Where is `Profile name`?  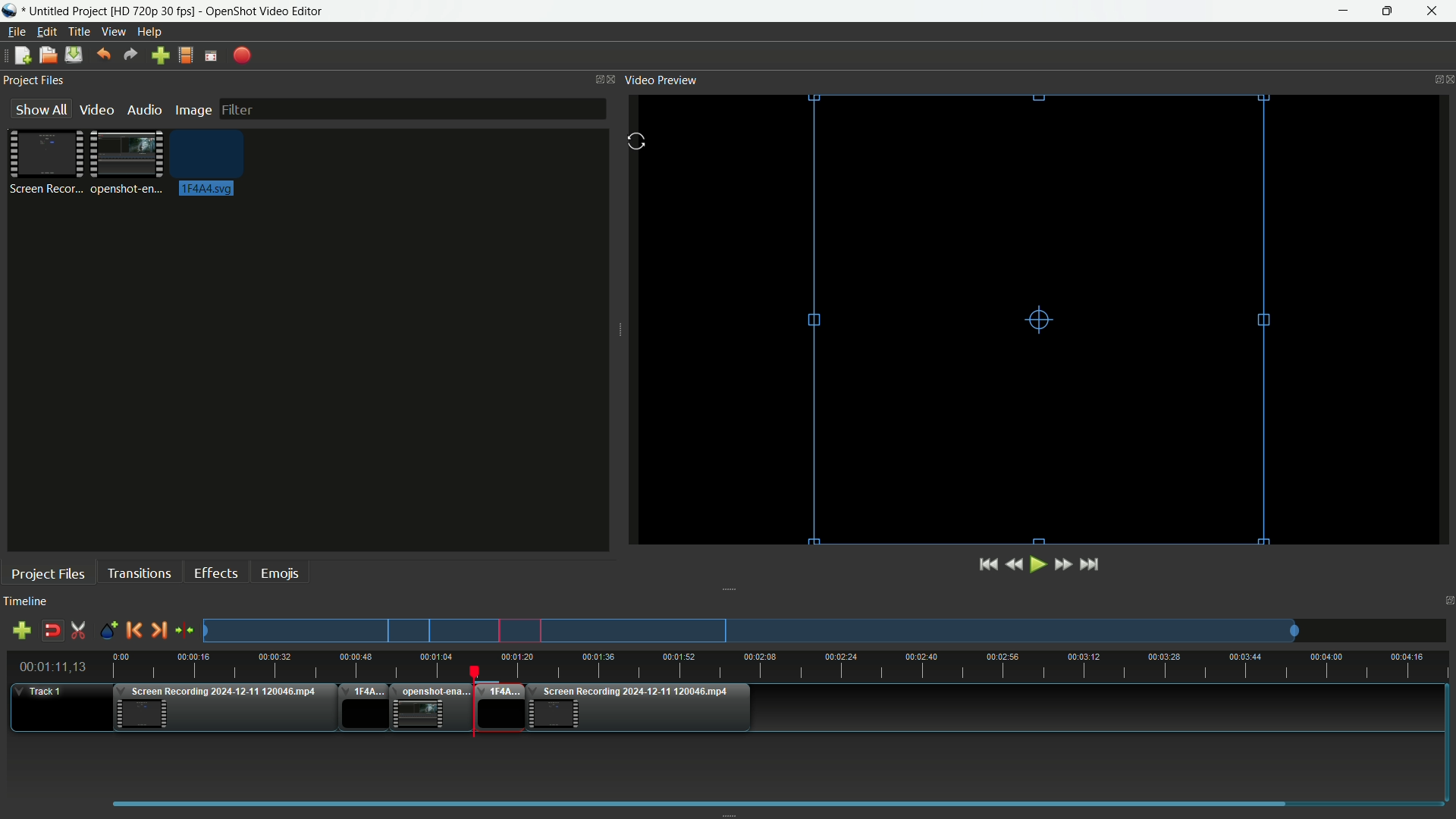 Profile name is located at coordinates (154, 12).